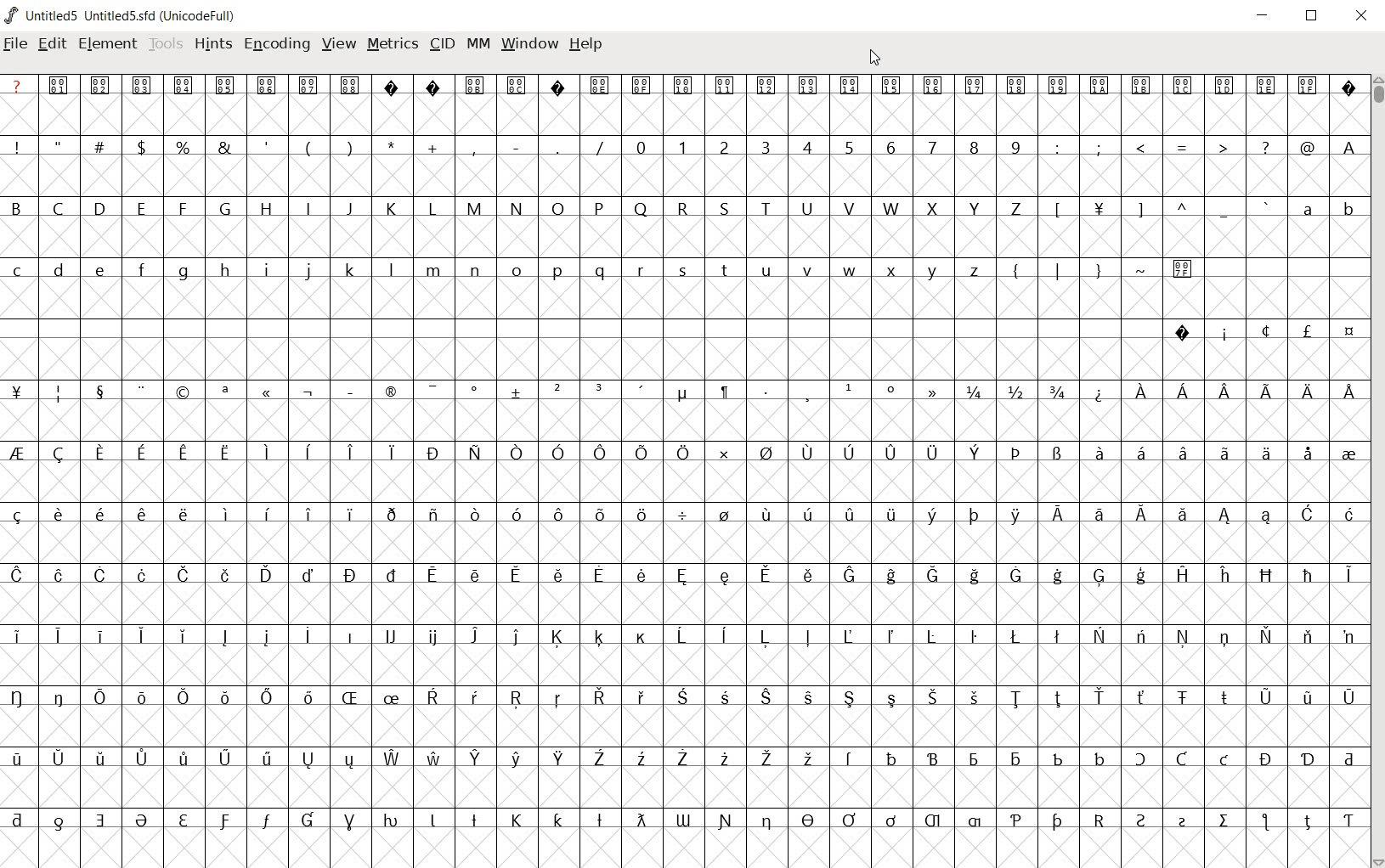  What do you see at coordinates (1184, 519) in the screenshot?
I see `Symbol` at bounding box center [1184, 519].